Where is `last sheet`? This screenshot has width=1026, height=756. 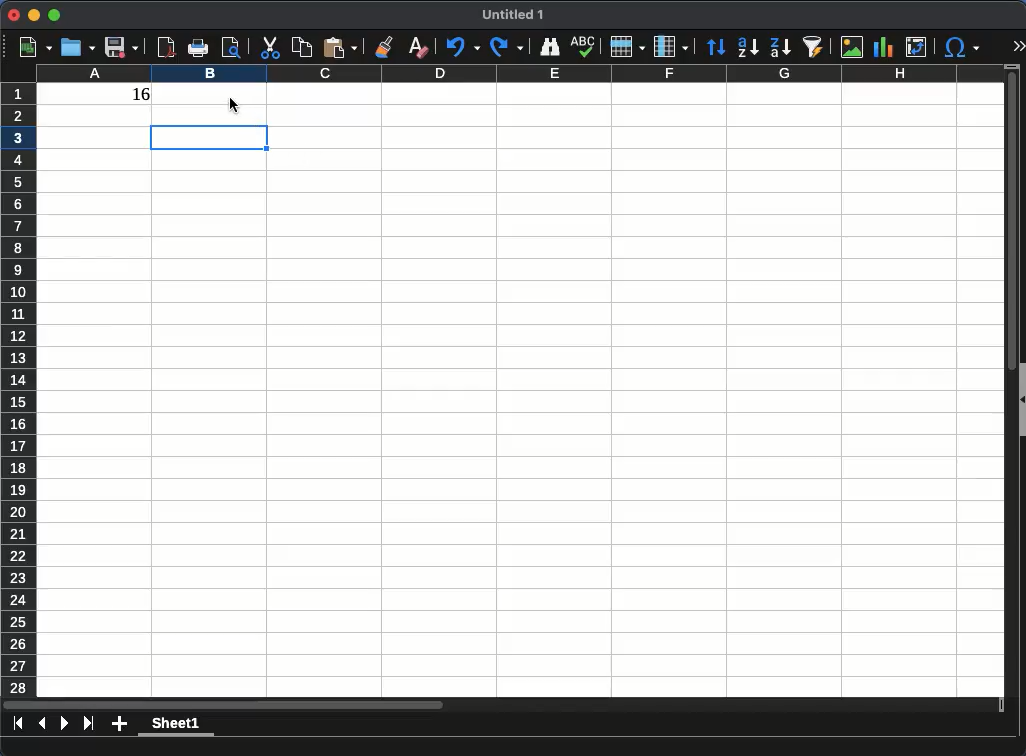 last sheet is located at coordinates (88, 723).